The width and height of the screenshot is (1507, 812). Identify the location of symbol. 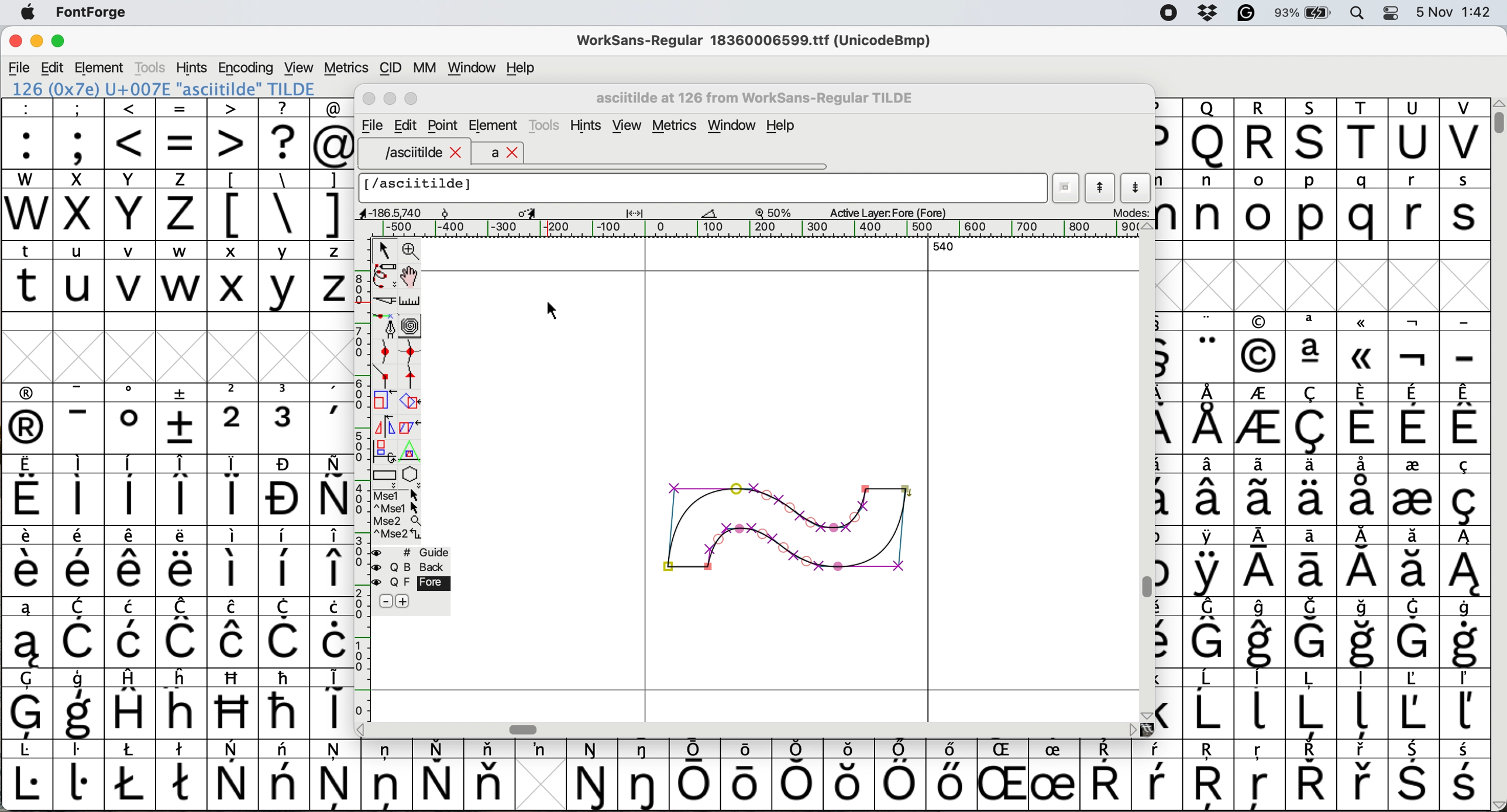
(332, 562).